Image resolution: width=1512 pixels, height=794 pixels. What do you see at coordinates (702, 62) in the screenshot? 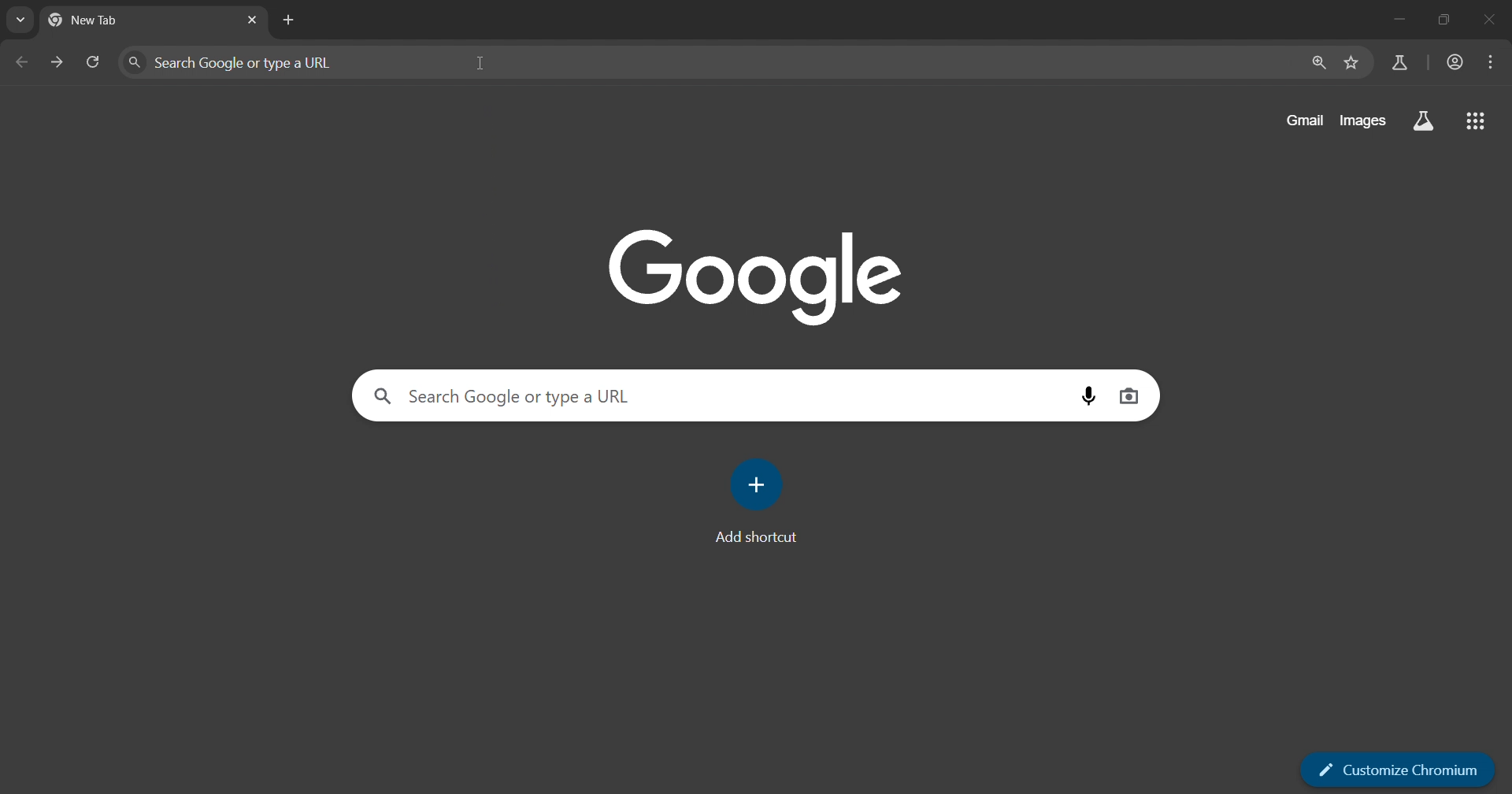
I see `search Google or type a URL` at bounding box center [702, 62].